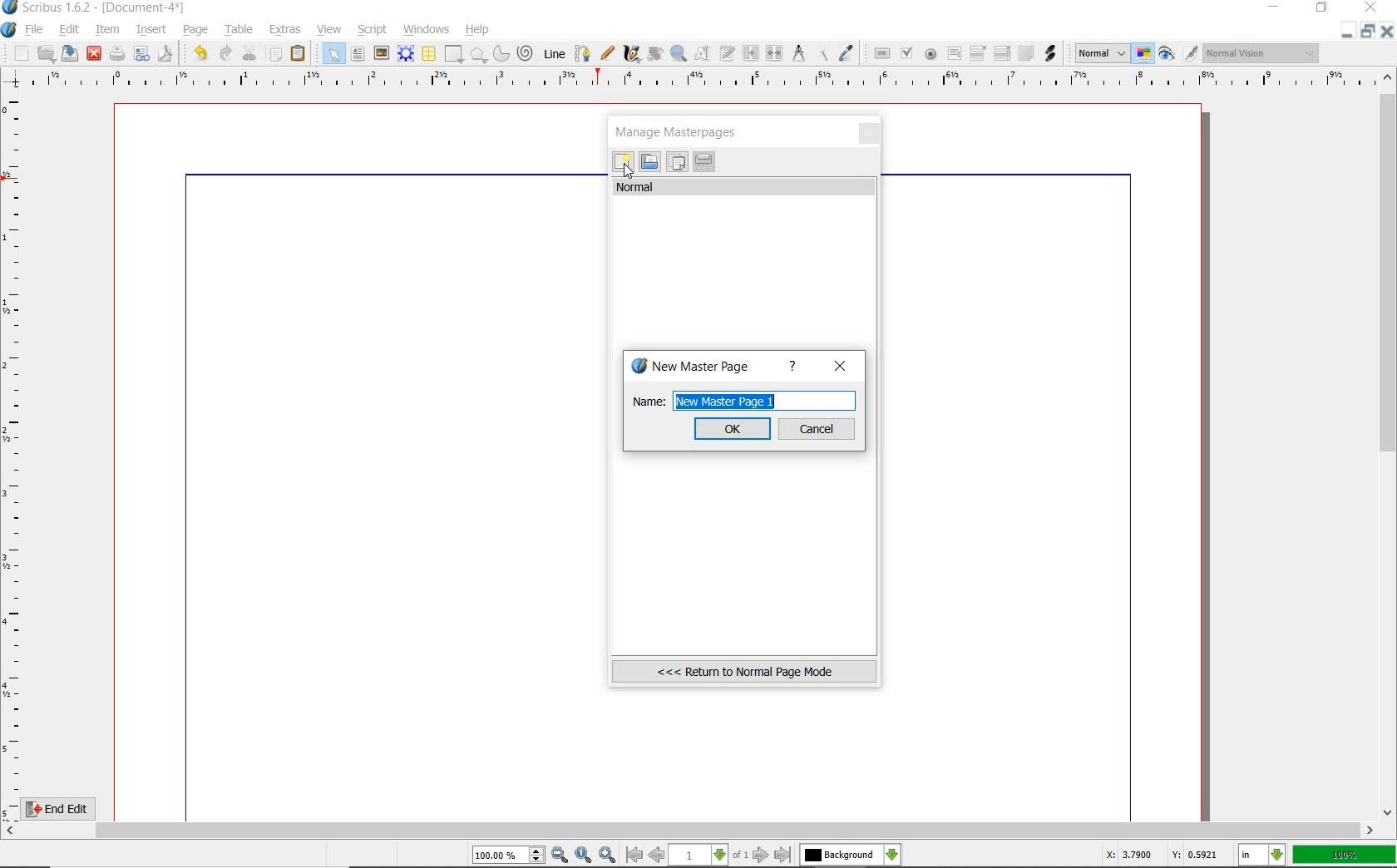 The image size is (1397, 868). What do you see at coordinates (1100, 53) in the screenshot?
I see `Normal` at bounding box center [1100, 53].